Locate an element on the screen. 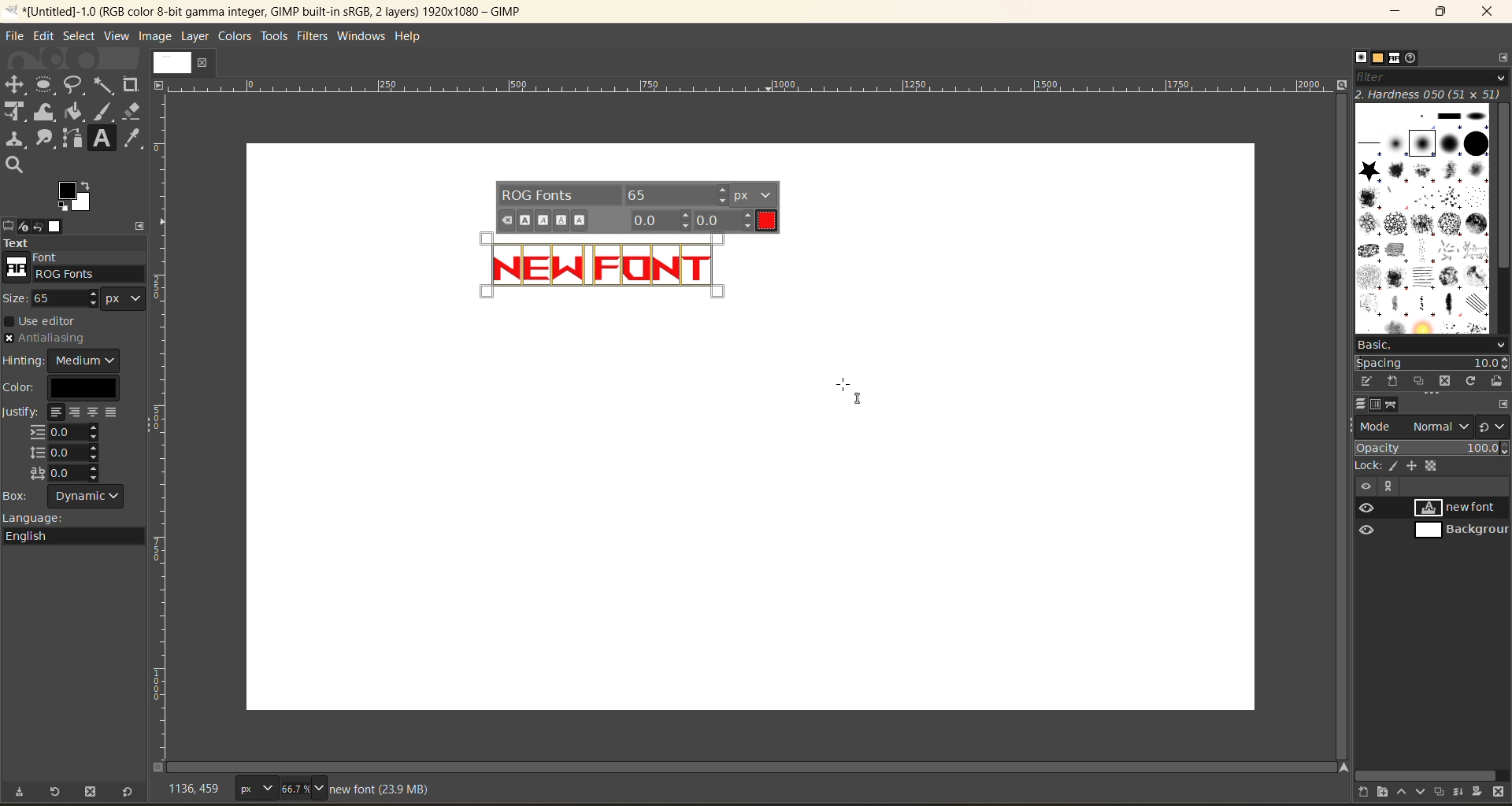 This screenshot has width=1512, height=806. view is located at coordinates (114, 35).